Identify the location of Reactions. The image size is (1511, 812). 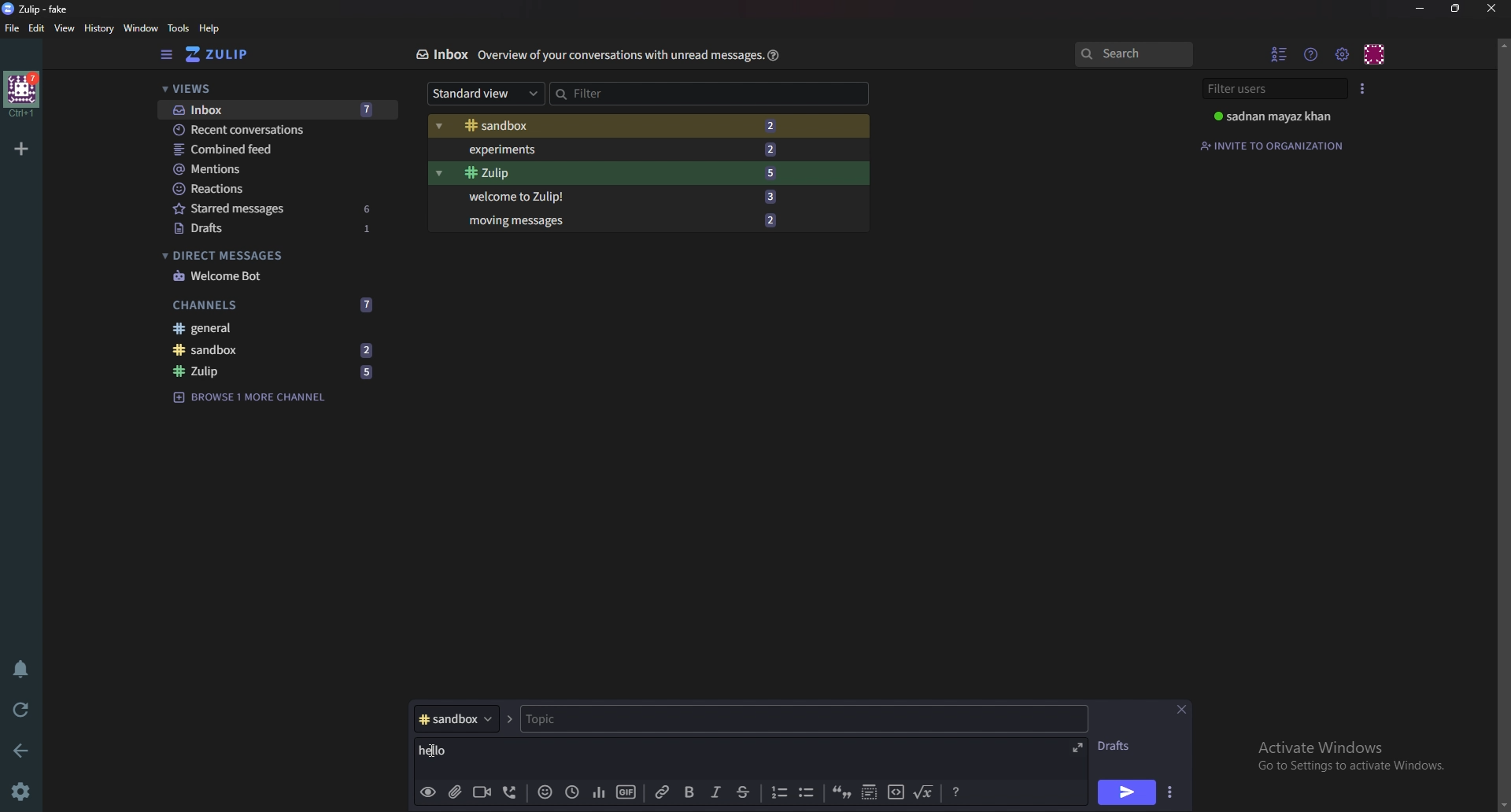
(274, 189).